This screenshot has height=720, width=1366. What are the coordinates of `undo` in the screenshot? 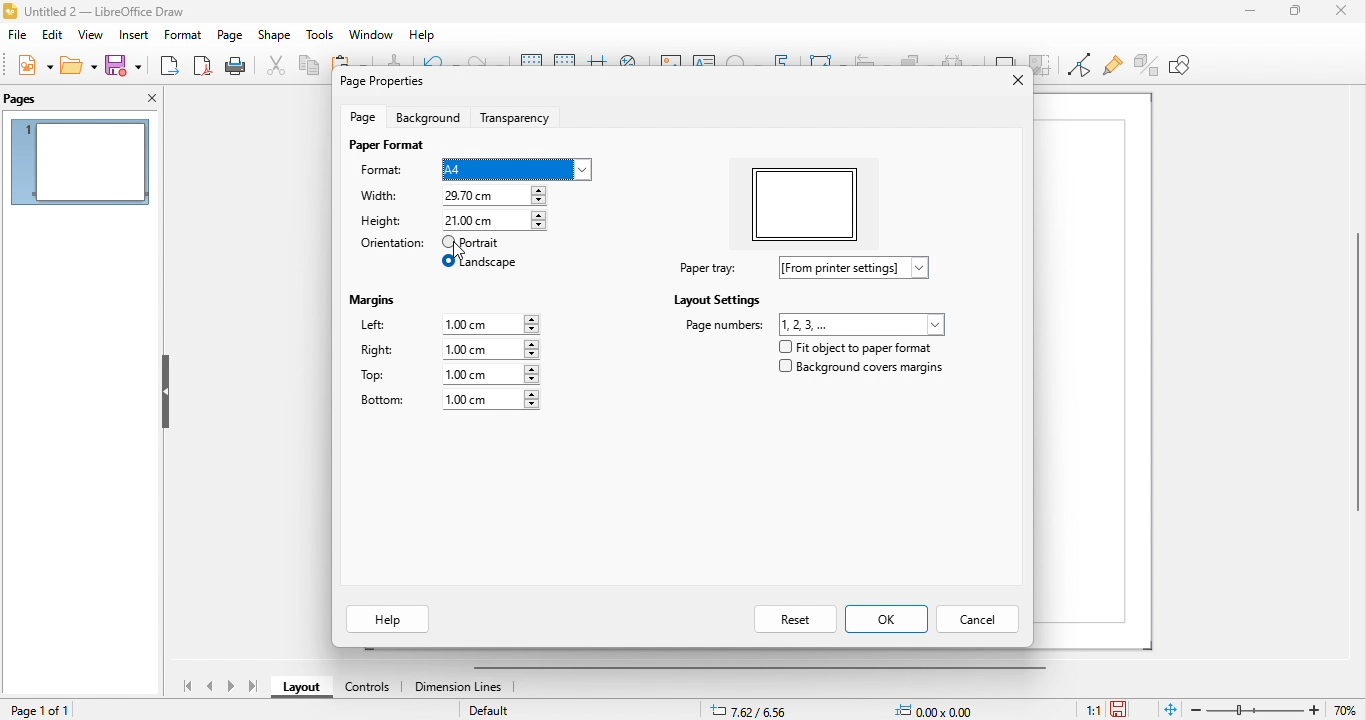 It's located at (439, 62).